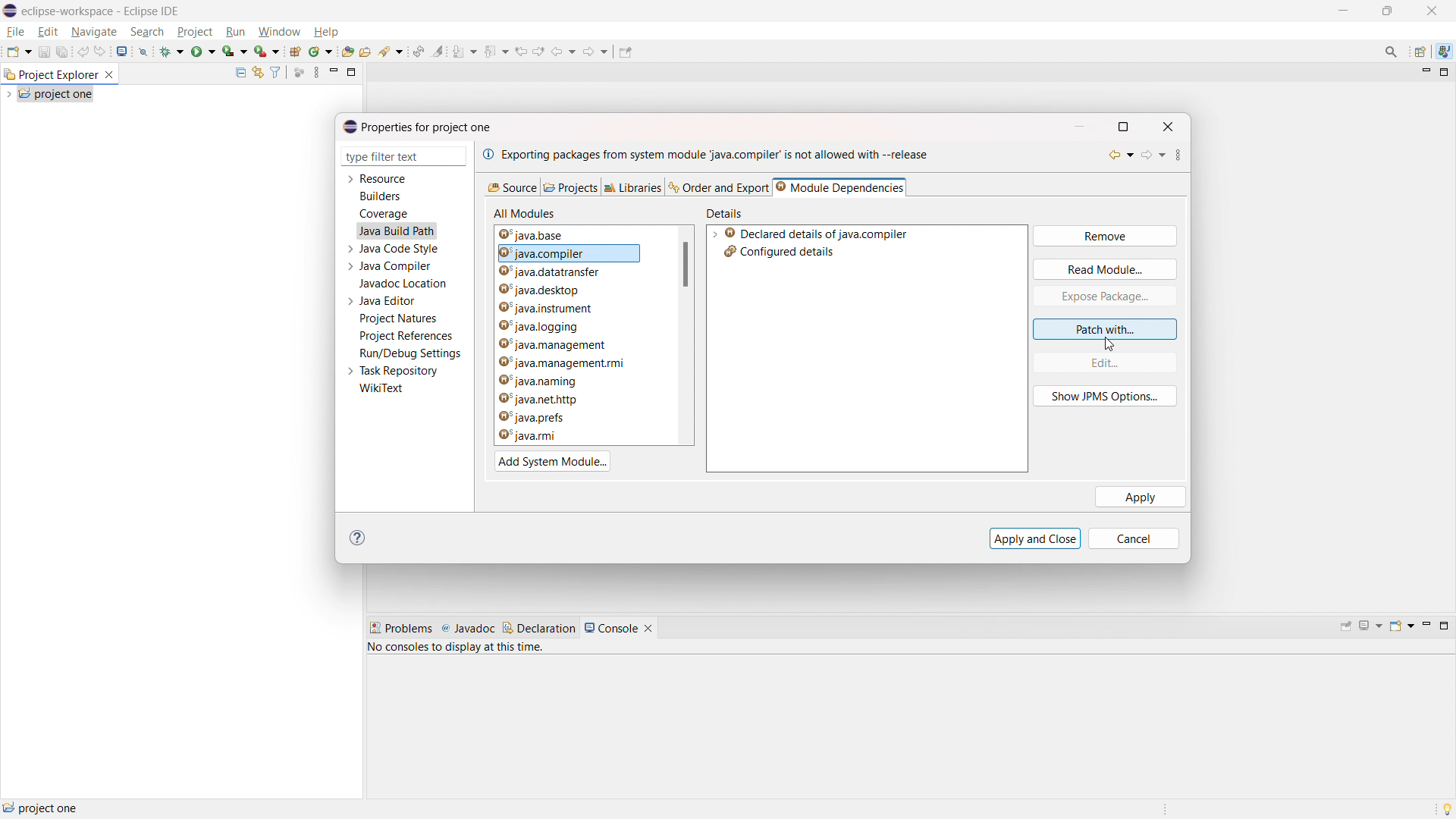 The width and height of the screenshot is (1456, 819). What do you see at coordinates (1186, 155) in the screenshot?
I see `view menu` at bounding box center [1186, 155].